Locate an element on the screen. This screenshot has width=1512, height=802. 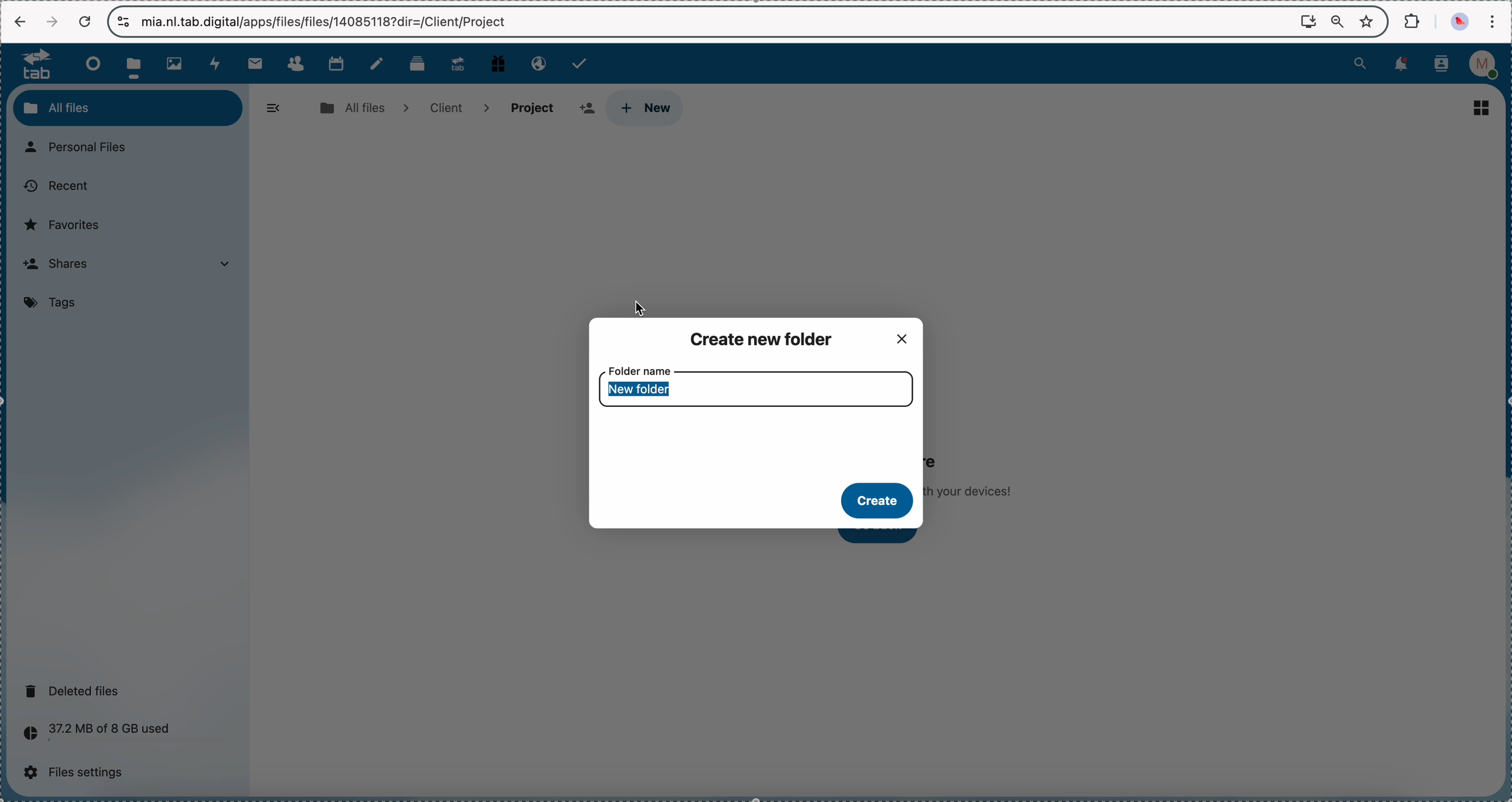
close is located at coordinates (906, 336).